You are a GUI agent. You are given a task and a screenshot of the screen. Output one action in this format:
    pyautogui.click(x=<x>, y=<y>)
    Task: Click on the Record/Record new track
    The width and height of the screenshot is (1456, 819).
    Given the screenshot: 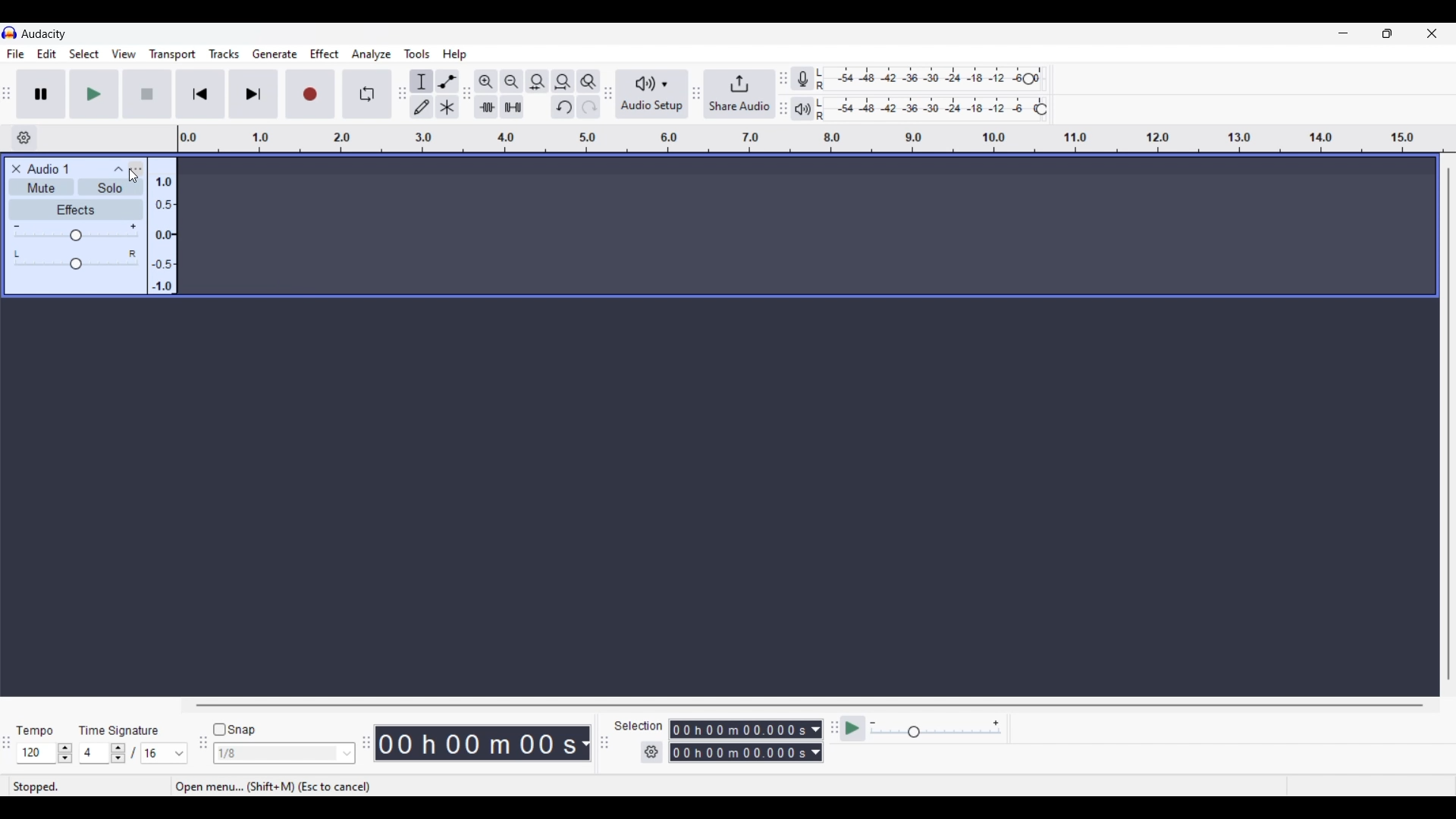 What is the action you would take?
    pyautogui.click(x=311, y=93)
    